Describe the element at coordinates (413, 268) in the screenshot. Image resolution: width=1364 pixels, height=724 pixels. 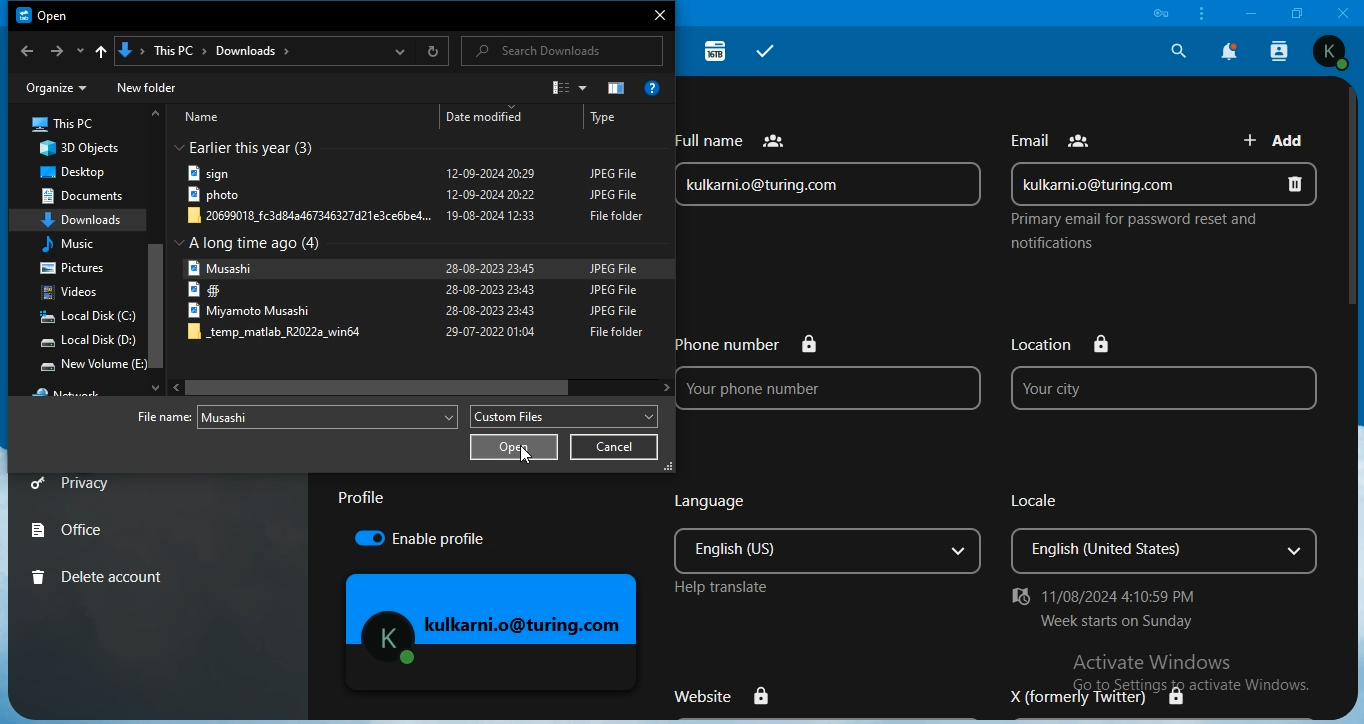
I see `file` at that location.